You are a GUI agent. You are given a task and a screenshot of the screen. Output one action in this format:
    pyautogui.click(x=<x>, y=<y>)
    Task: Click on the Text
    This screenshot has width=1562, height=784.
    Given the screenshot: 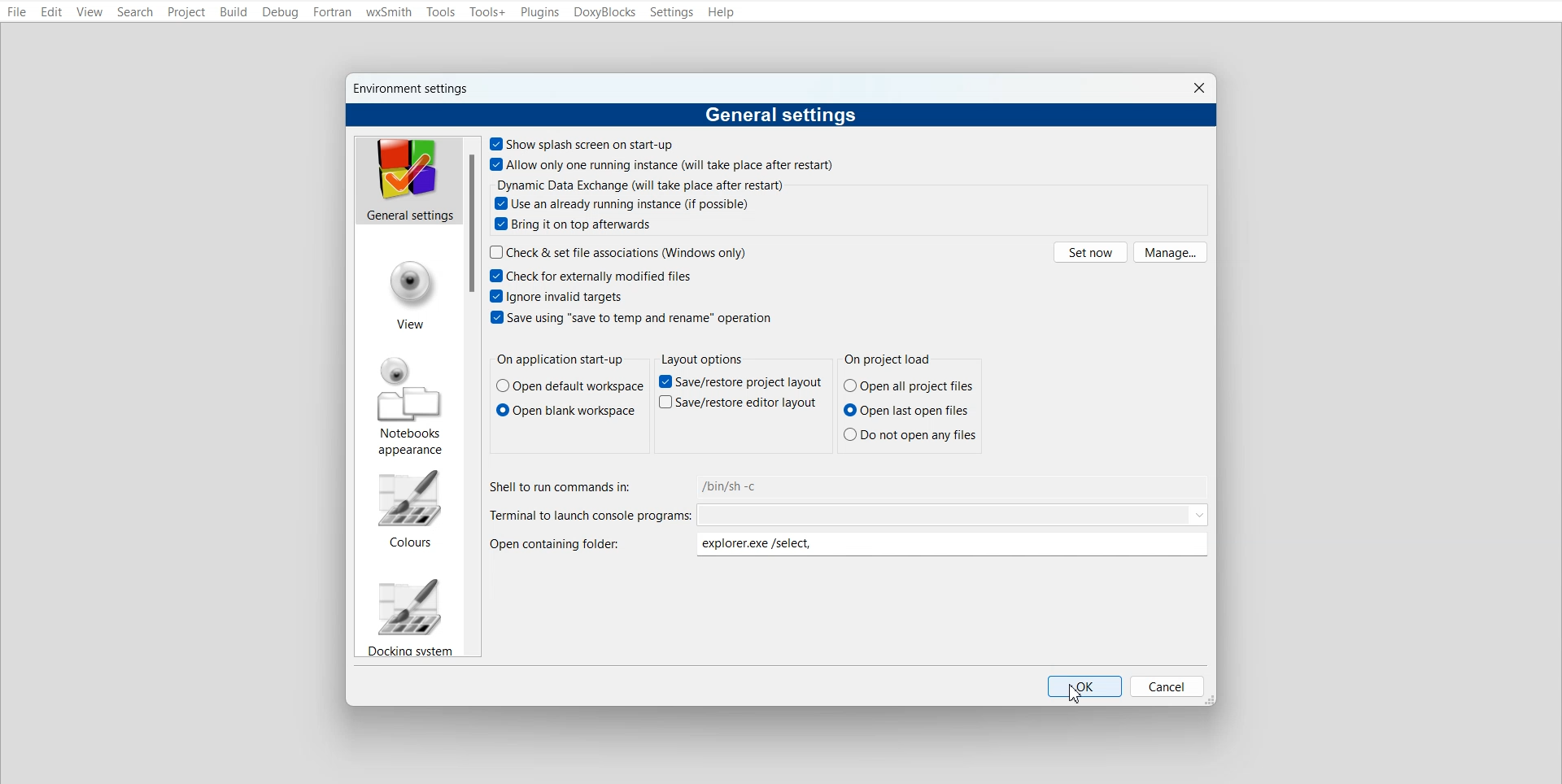 What is the action you would take?
    pyautogui.click(x=782, y=115)
    